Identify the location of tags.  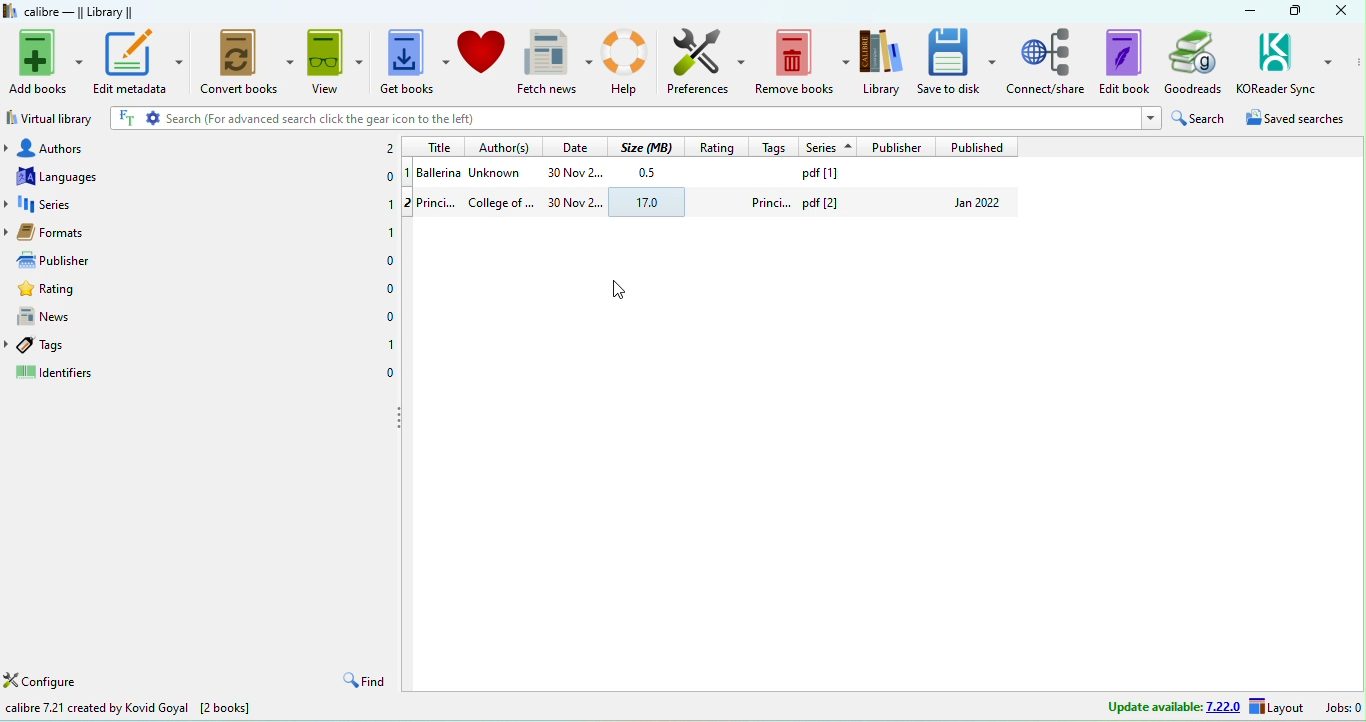
(66, 345).